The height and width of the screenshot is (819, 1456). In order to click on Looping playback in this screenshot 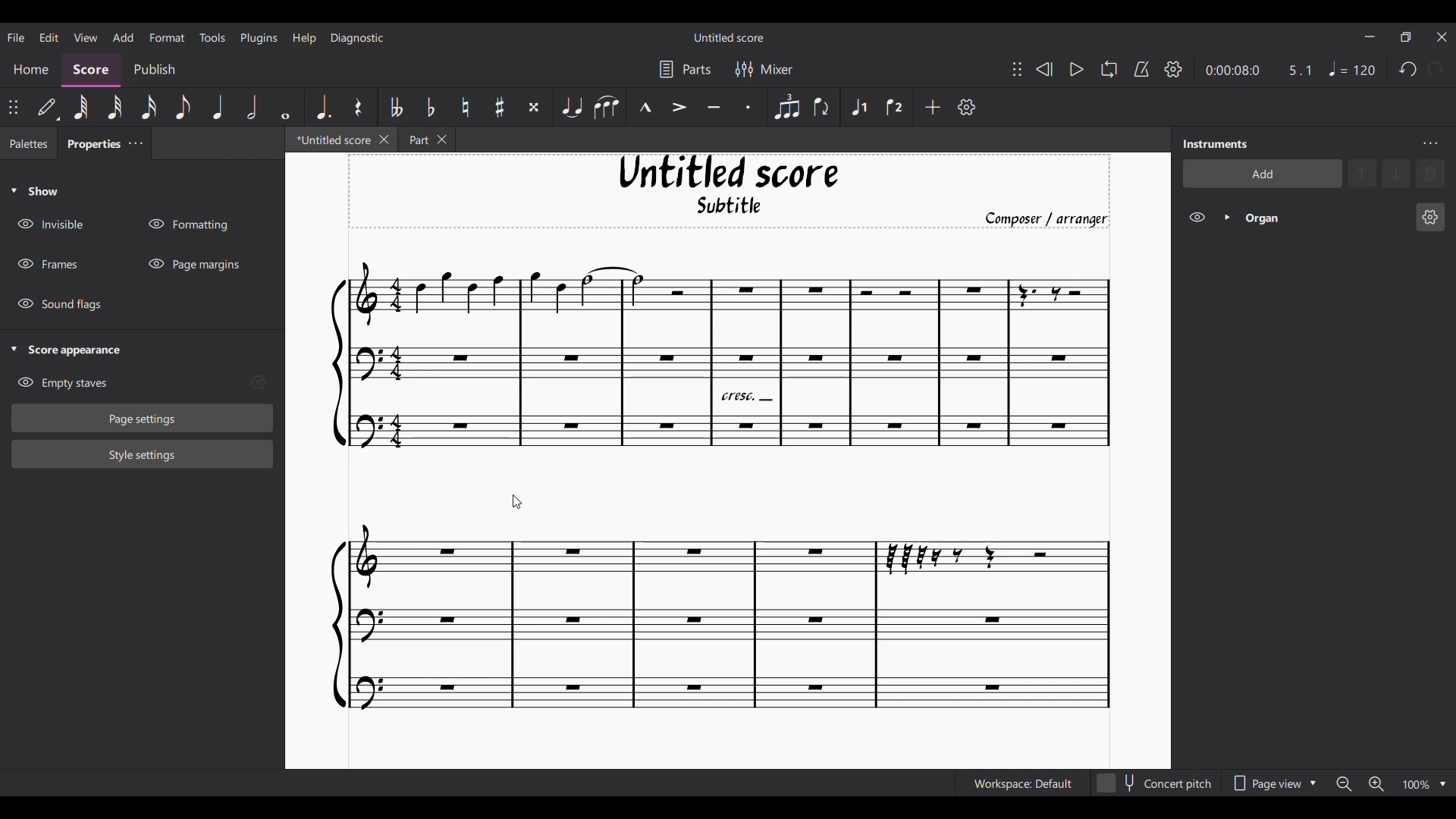, I will do `click(1108, 69)`.